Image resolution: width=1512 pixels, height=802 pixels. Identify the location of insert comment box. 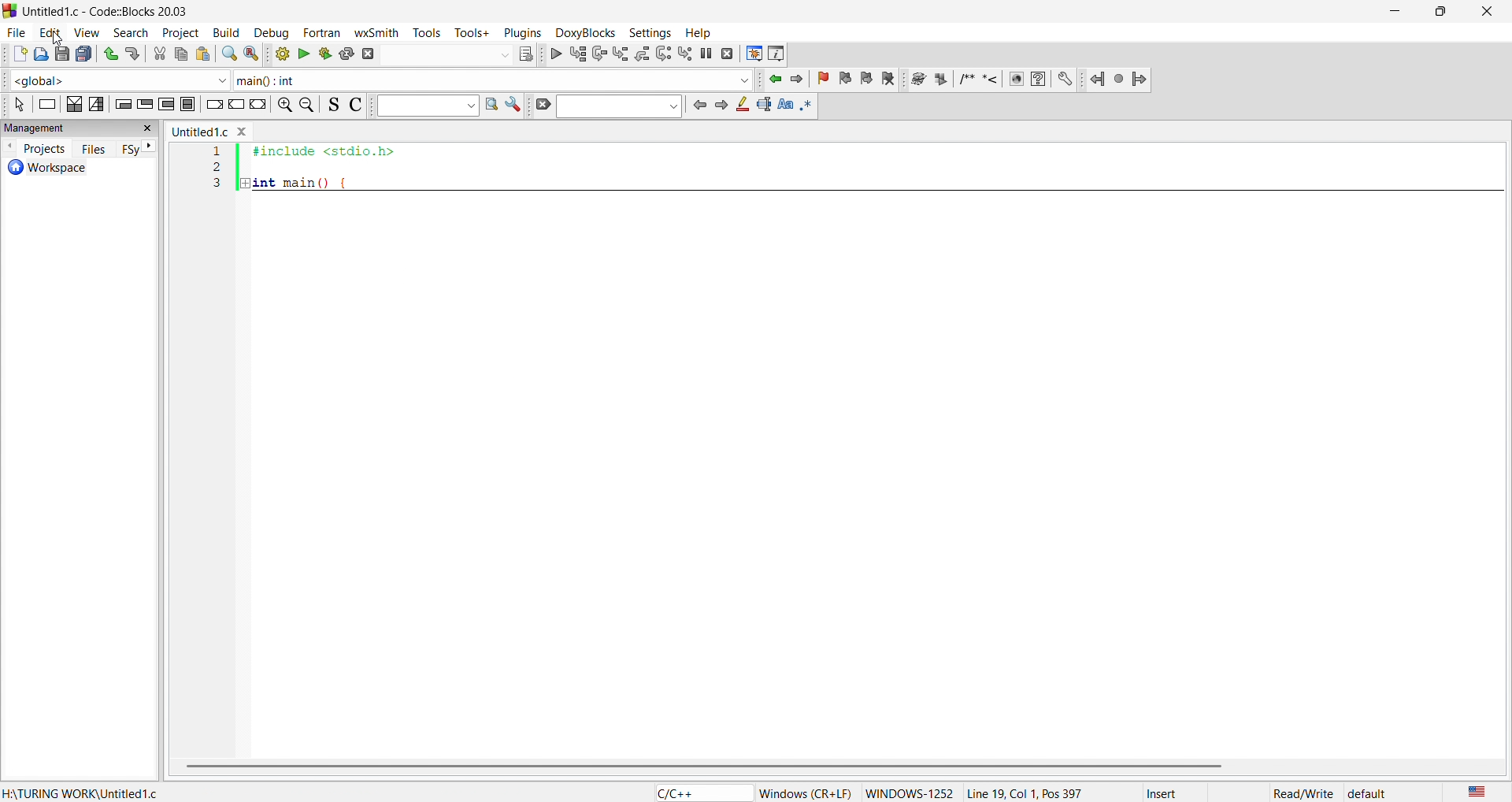
(965, 79).